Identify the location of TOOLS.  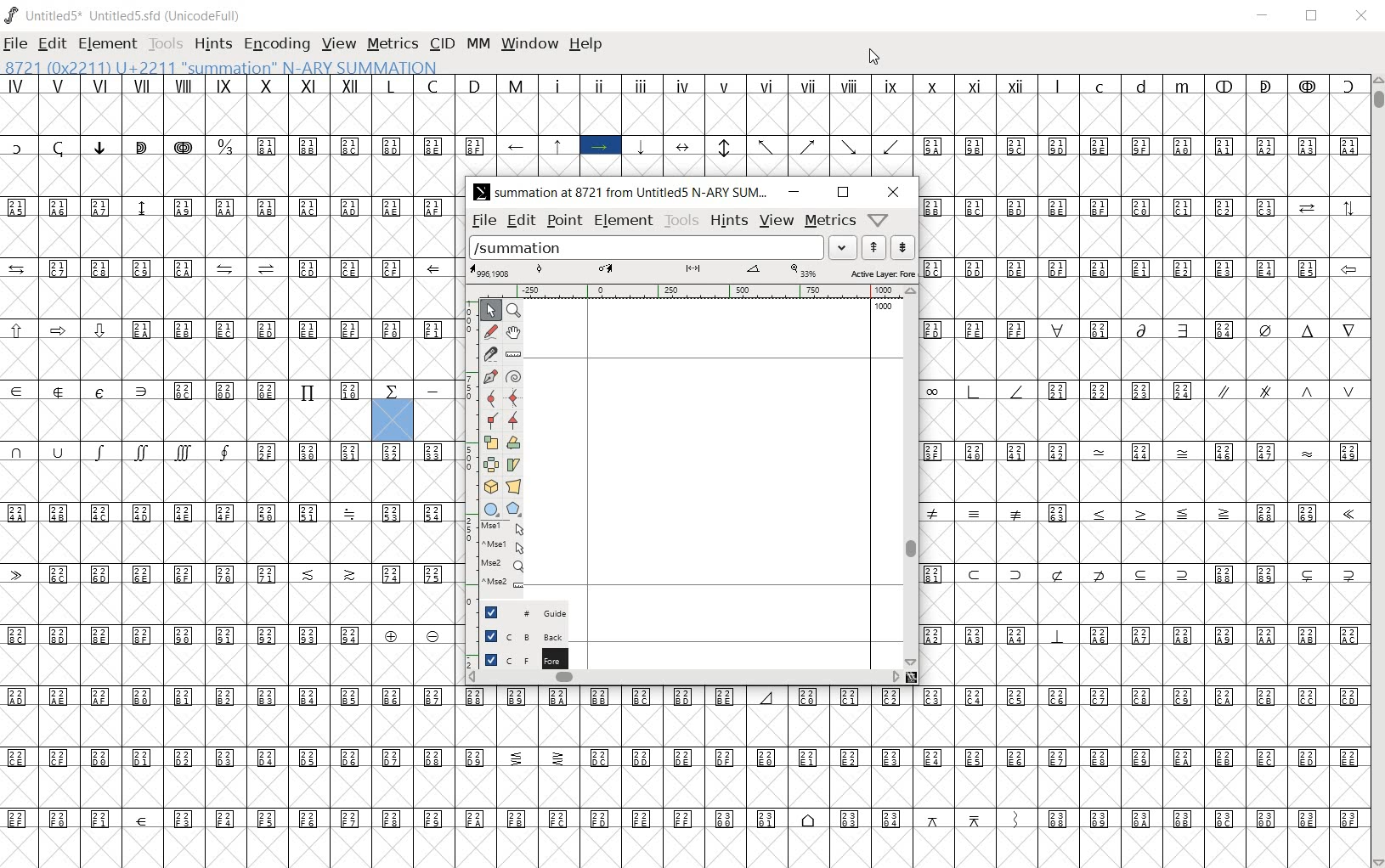
(164, 42).